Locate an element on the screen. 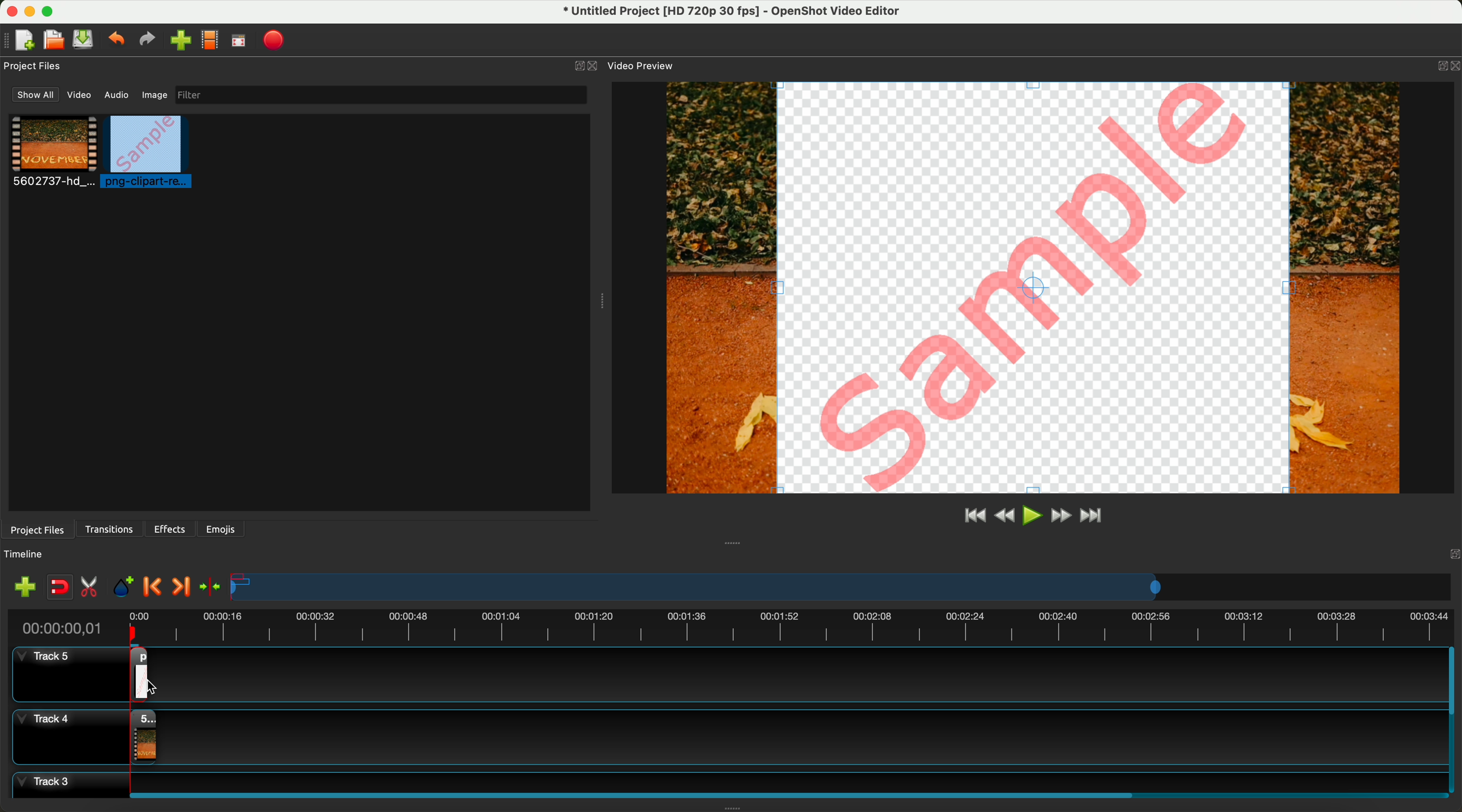 The width and height of the screenshot is (1462, 812). new file is located at coordinates (21, 40).